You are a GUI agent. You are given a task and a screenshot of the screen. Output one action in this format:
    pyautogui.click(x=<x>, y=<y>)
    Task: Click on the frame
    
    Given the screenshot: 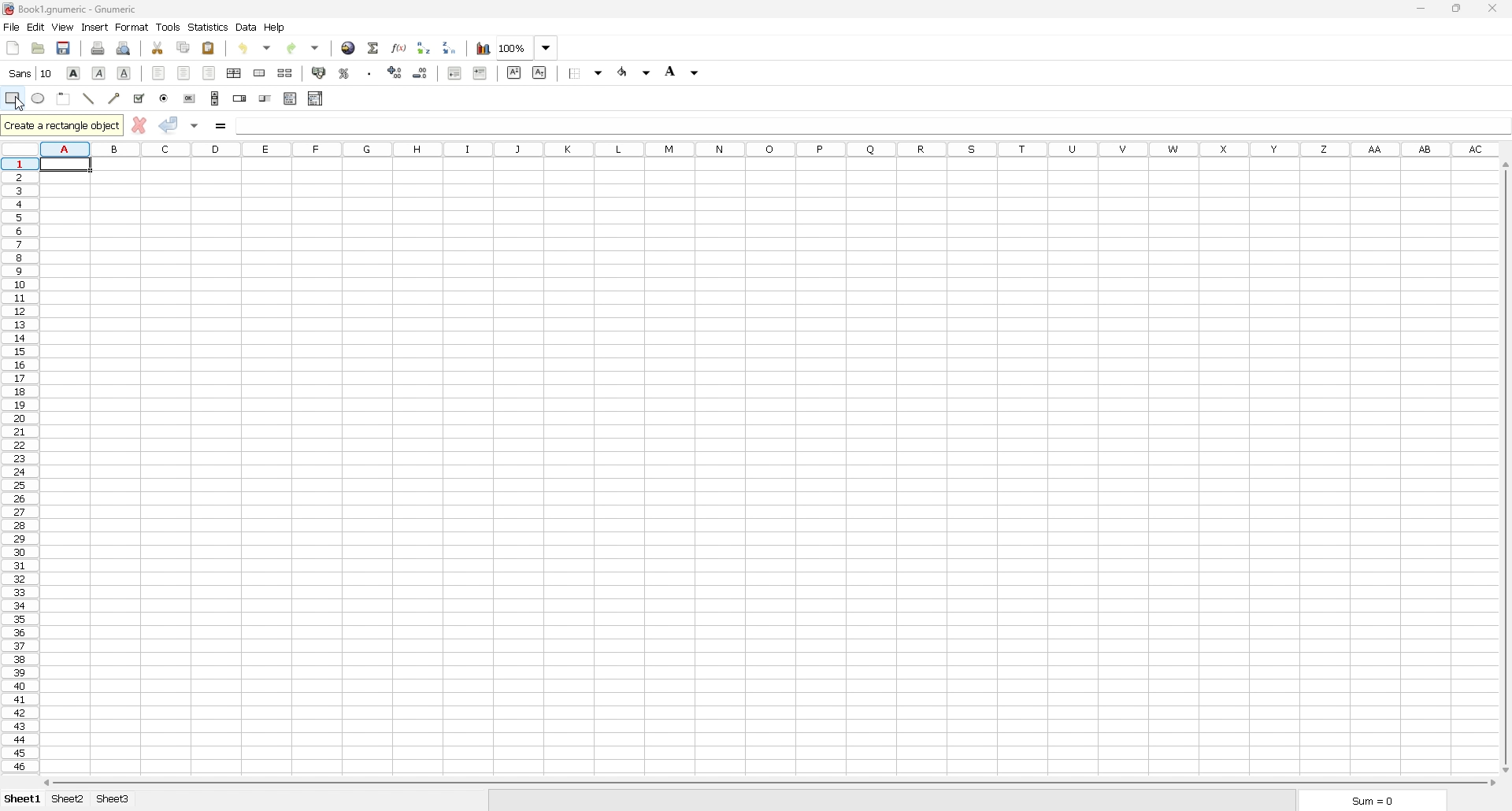 What is the action you would take?
    pyautogui.click(x=64, y=98)
    